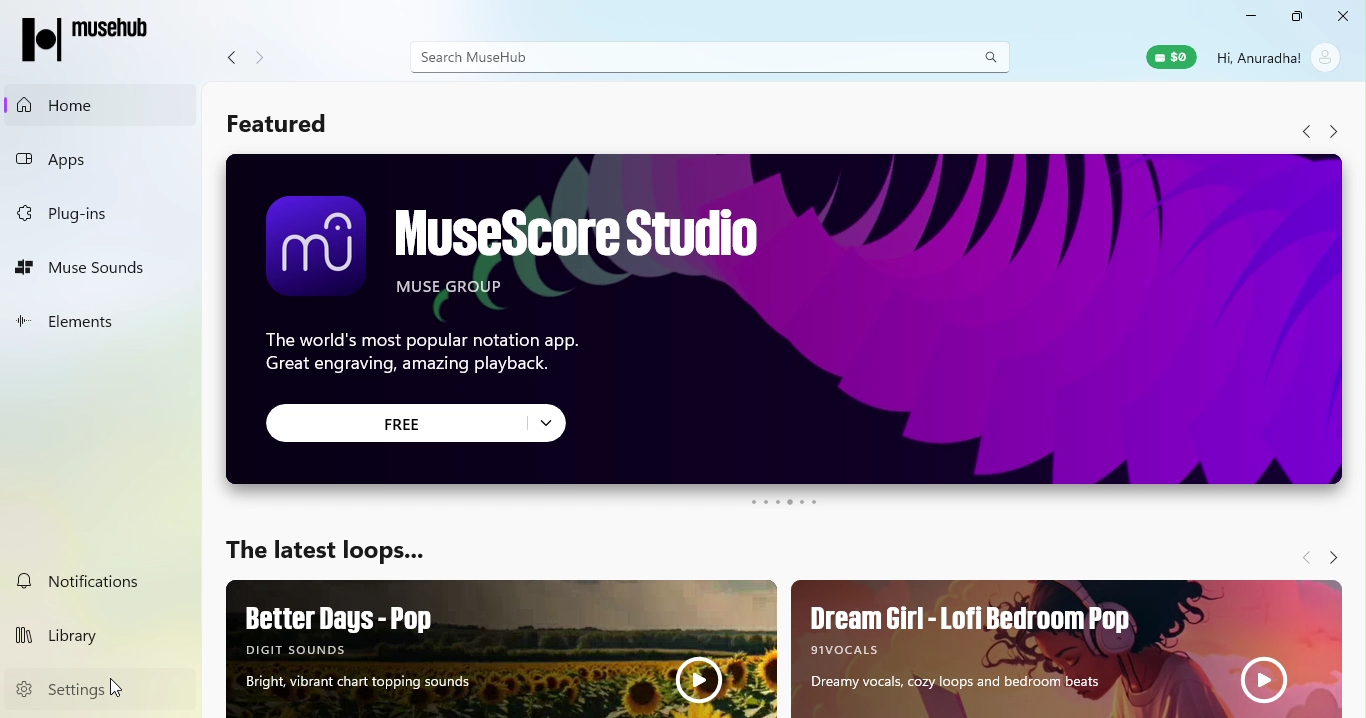 The image size is (1366, 718). What do you see at coordinates (1305, 132) in the screenshot?
I see `Navigate back` at bounding box center [1305, 132].